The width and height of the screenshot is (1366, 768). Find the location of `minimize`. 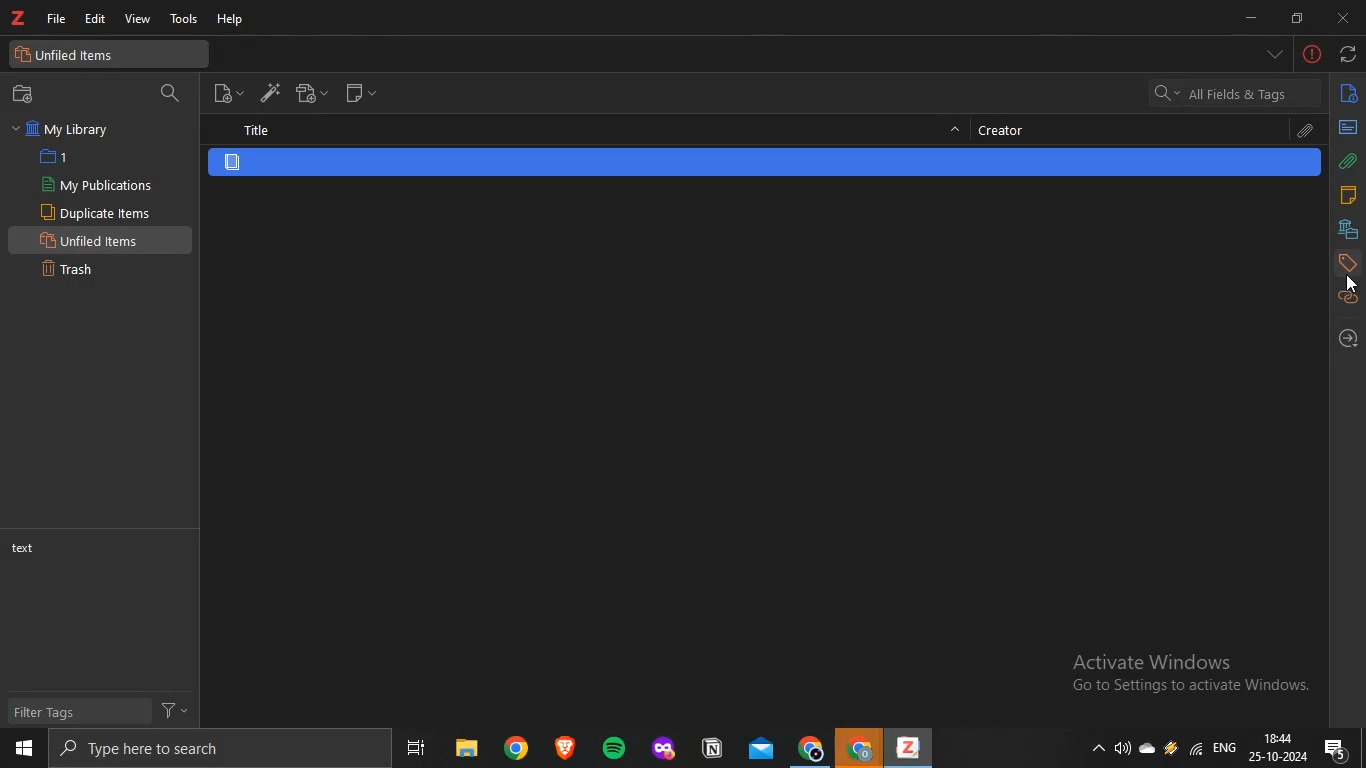

minimize is located at coordinates (1250, 18).